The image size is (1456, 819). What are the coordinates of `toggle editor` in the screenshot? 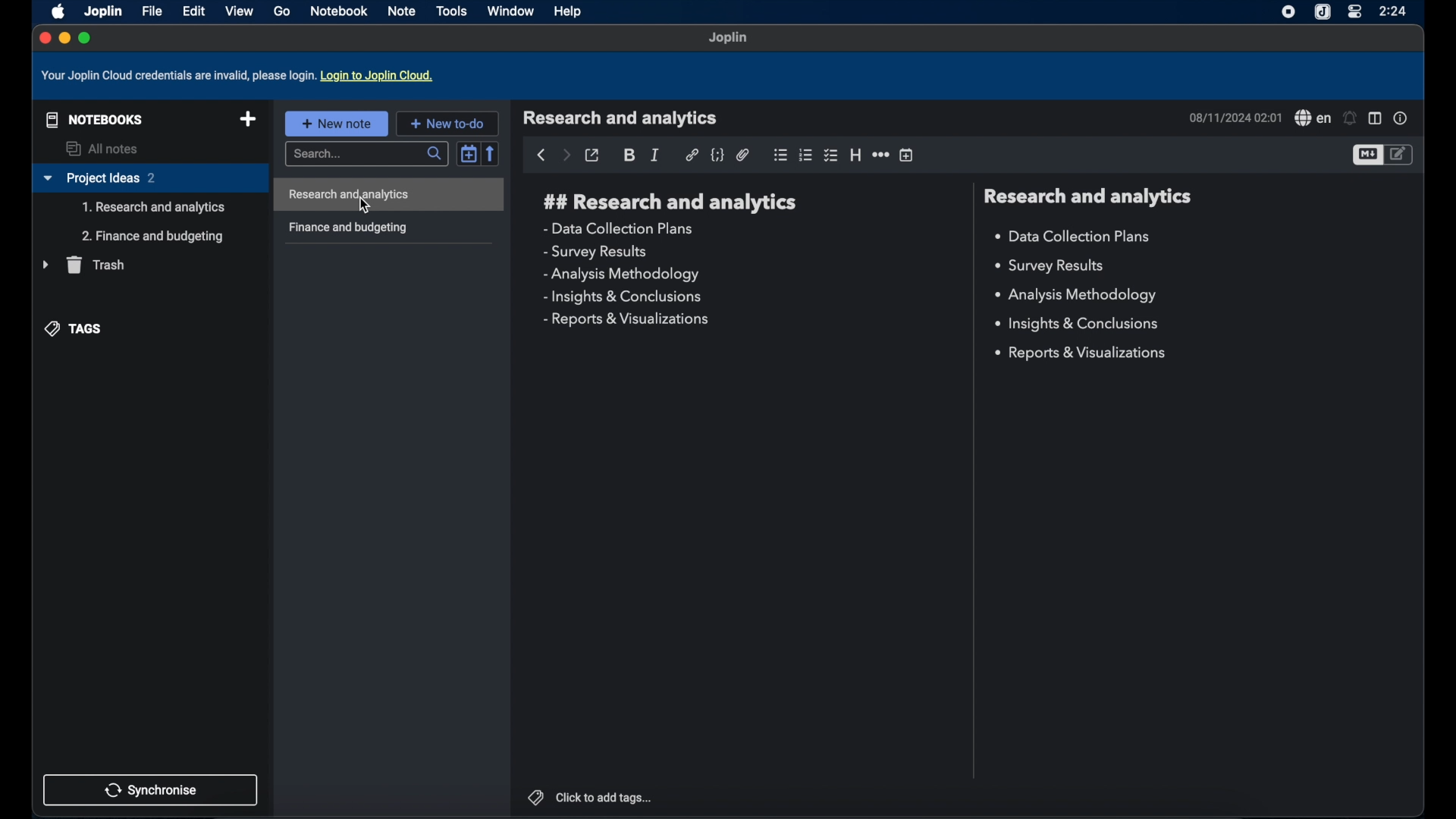 It's located at (1367, 155).